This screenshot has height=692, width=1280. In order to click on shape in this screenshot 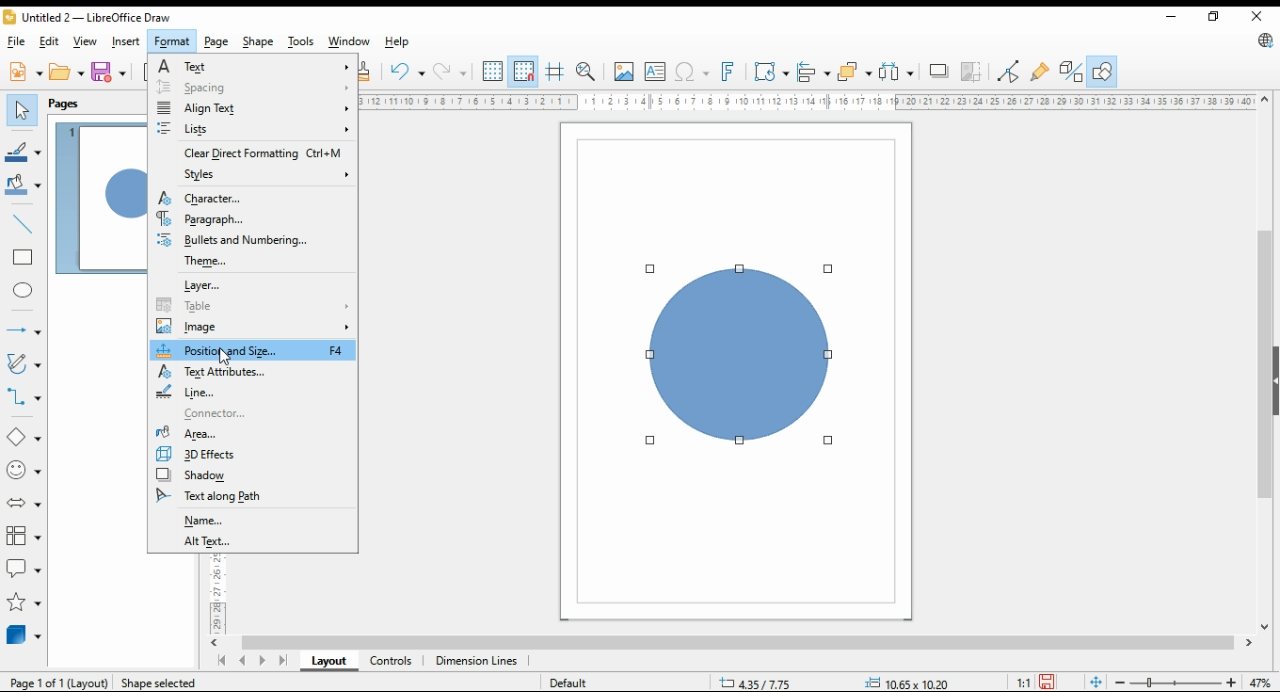, I will do `click(258, 42)`.